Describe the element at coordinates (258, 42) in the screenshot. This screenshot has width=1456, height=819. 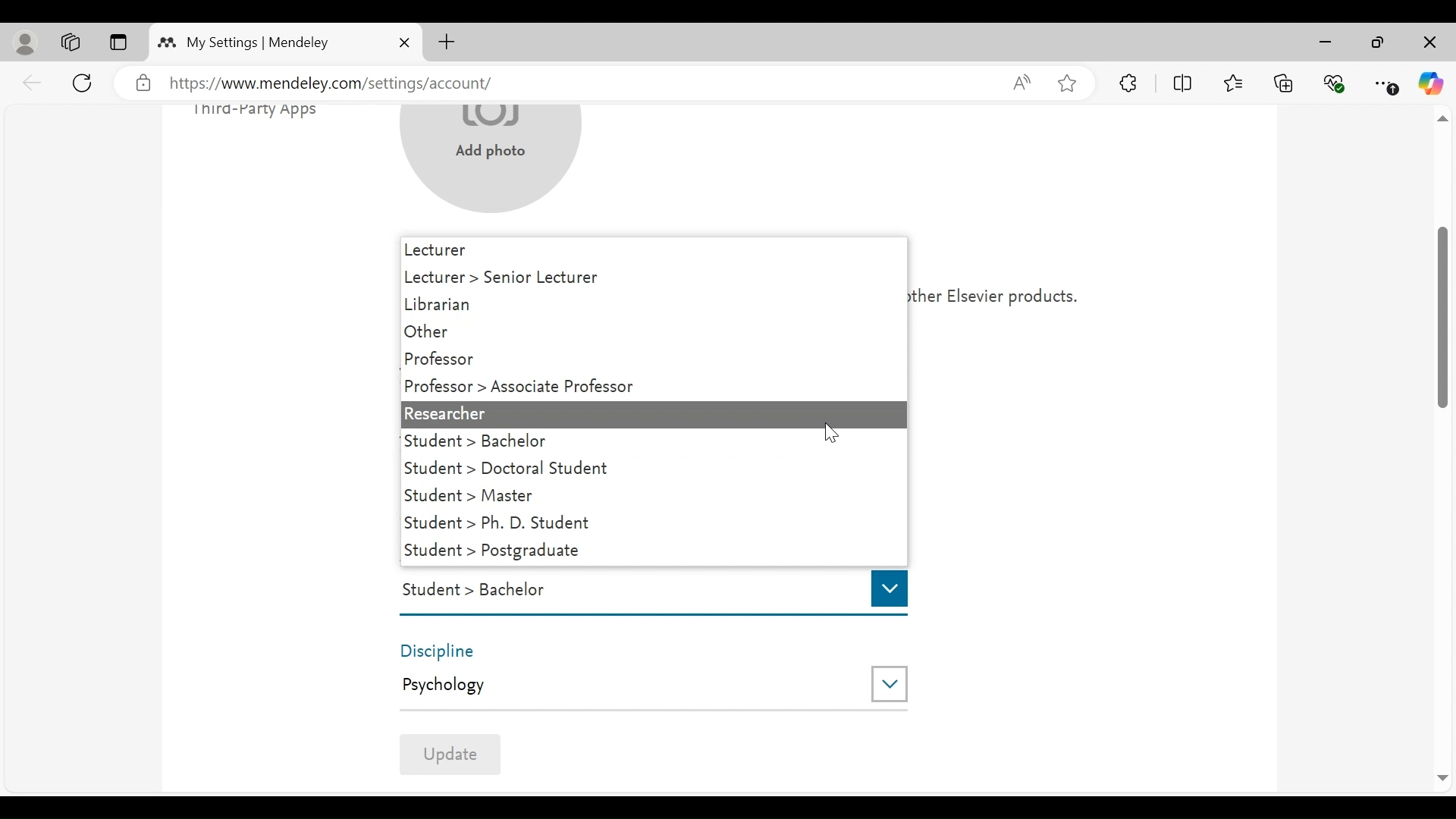
I see `My Settings | Mendeley` at that location.